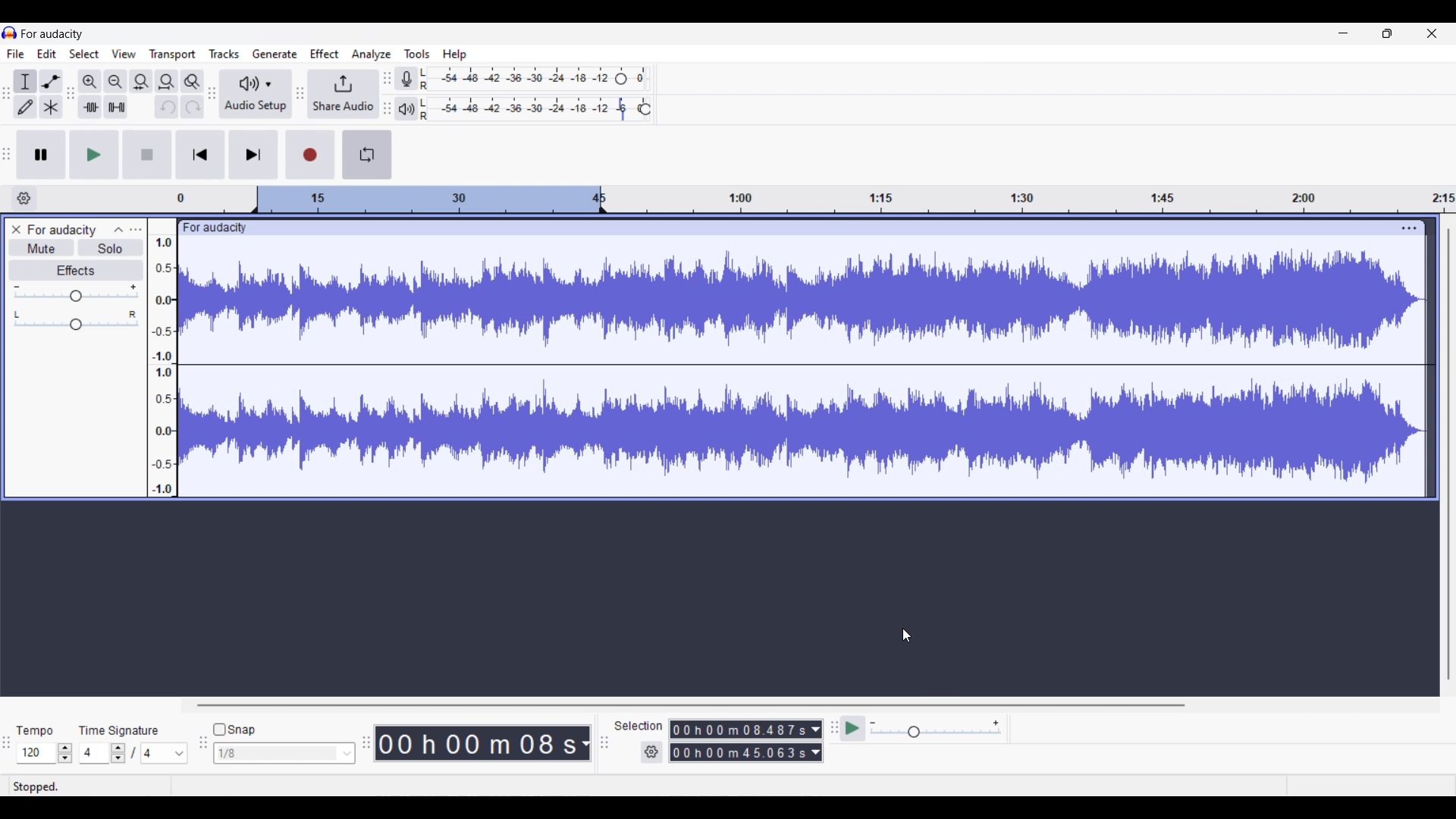  I want to click on Current status of track, so click(36, 786).